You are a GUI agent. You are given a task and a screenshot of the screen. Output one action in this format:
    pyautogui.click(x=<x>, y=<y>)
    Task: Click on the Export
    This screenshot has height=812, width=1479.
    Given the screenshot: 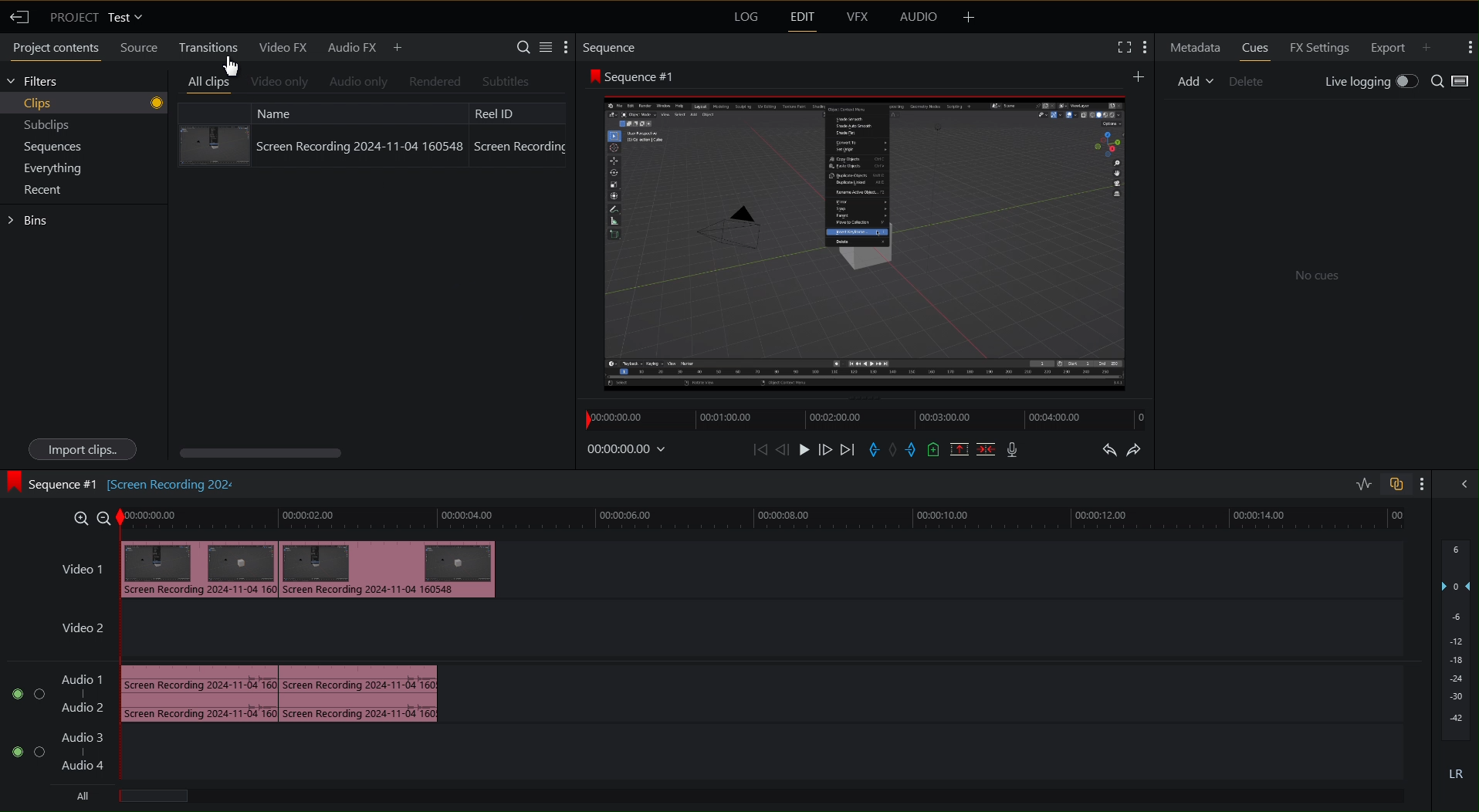 What is the action you would take?
    pyautogui.click(x=1388, y=48)
    